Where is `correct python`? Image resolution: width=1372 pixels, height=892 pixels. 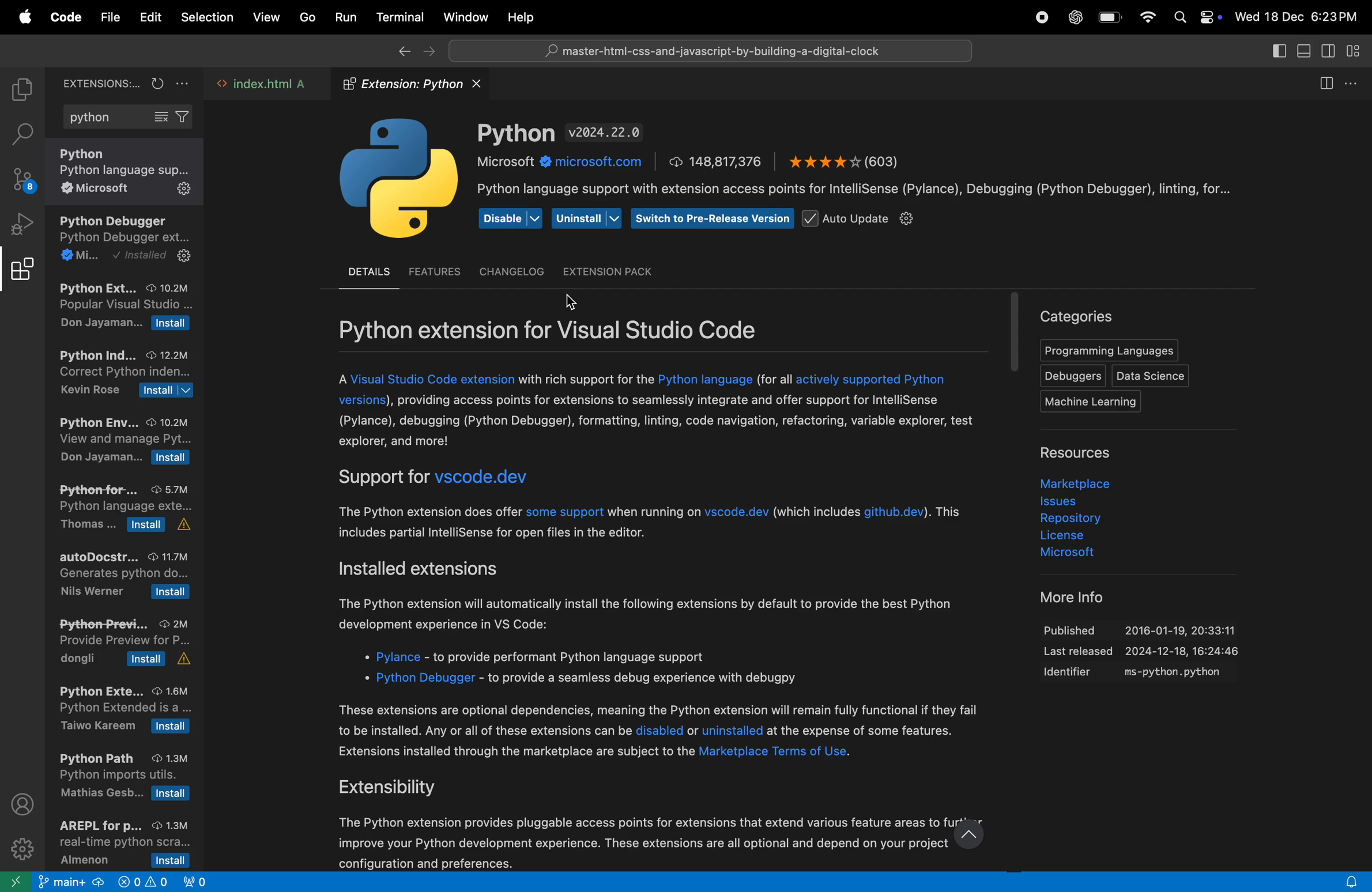 correct python is located at coordinates (123, 375).